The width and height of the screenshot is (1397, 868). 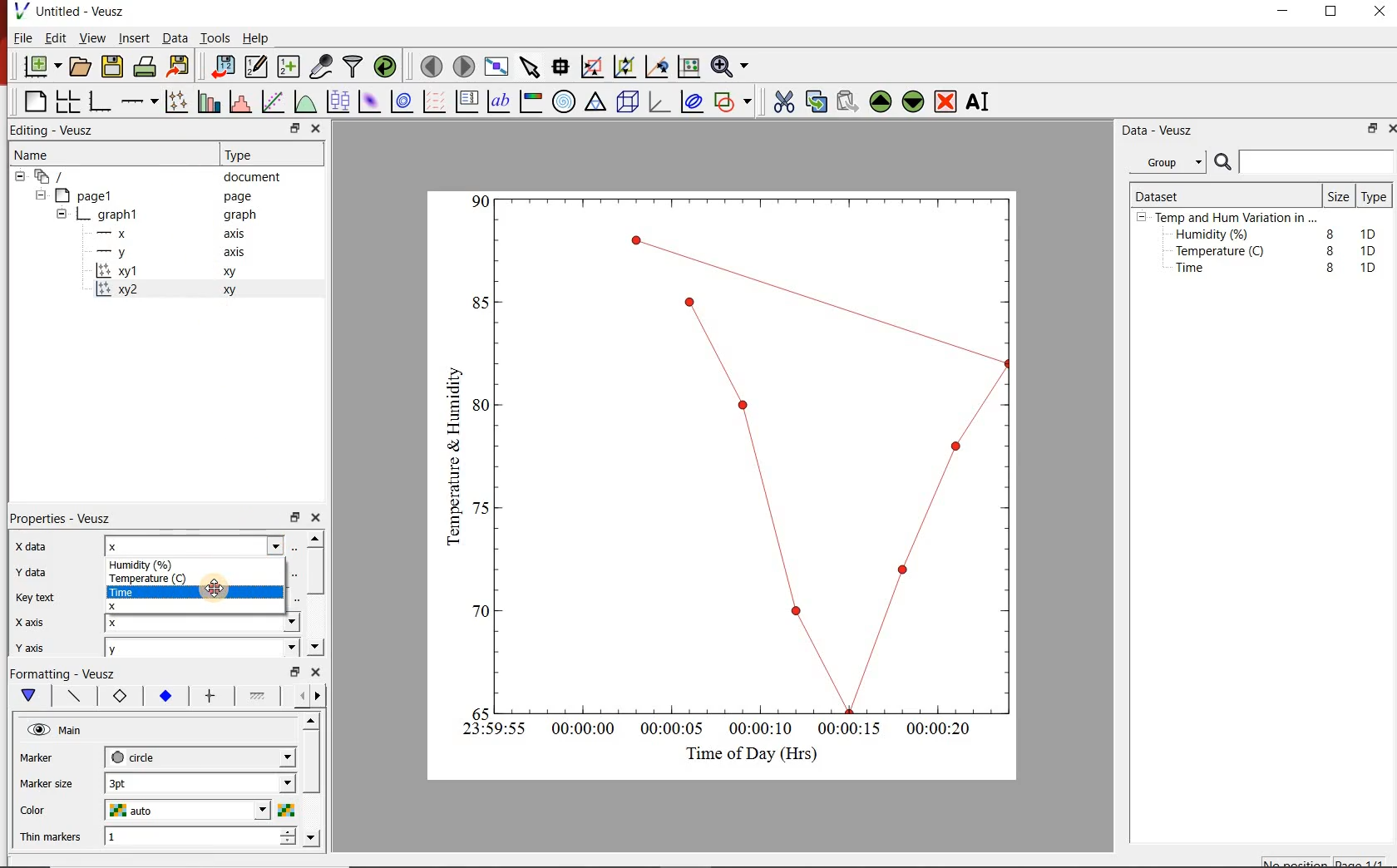 What do you see at coordinates (595, 67) in the screenshot?
I see `click or draw a rectangle to zoom graph axes` at bounding box center [595, 67].